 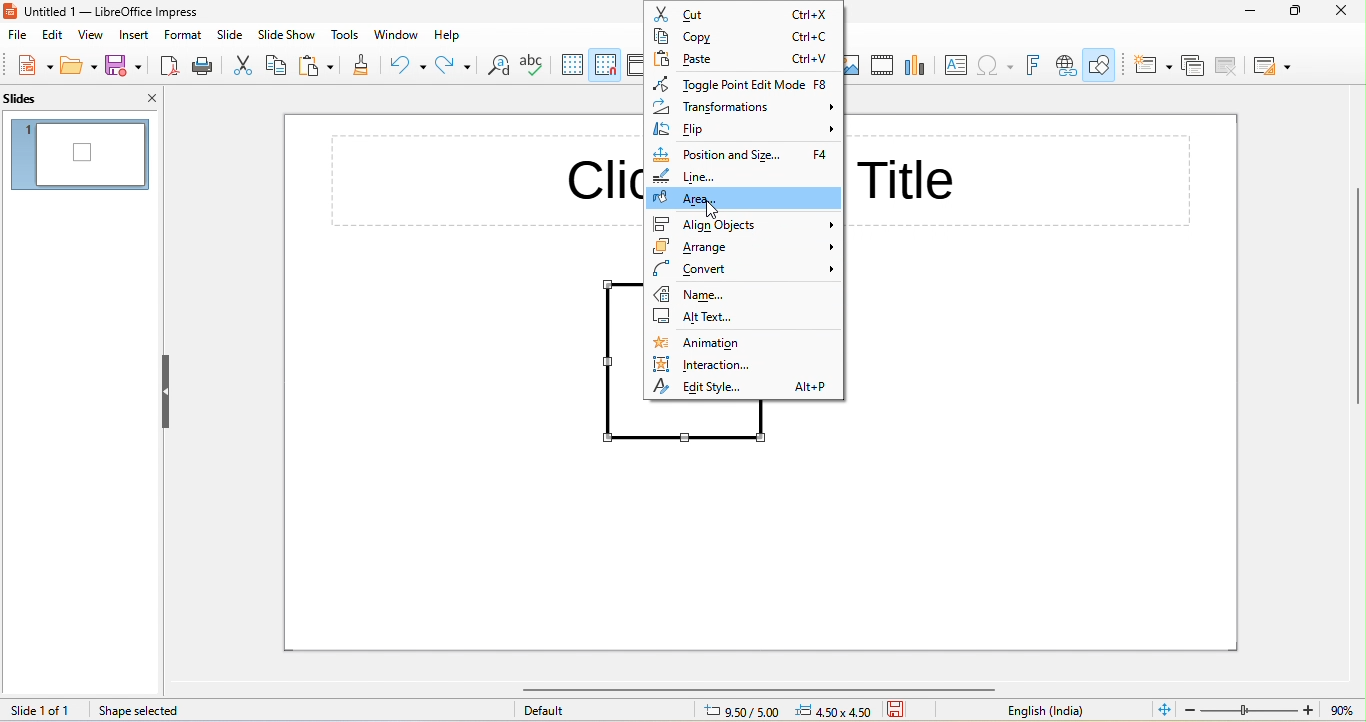 I want to click on animation, so click(x=737, y=343).